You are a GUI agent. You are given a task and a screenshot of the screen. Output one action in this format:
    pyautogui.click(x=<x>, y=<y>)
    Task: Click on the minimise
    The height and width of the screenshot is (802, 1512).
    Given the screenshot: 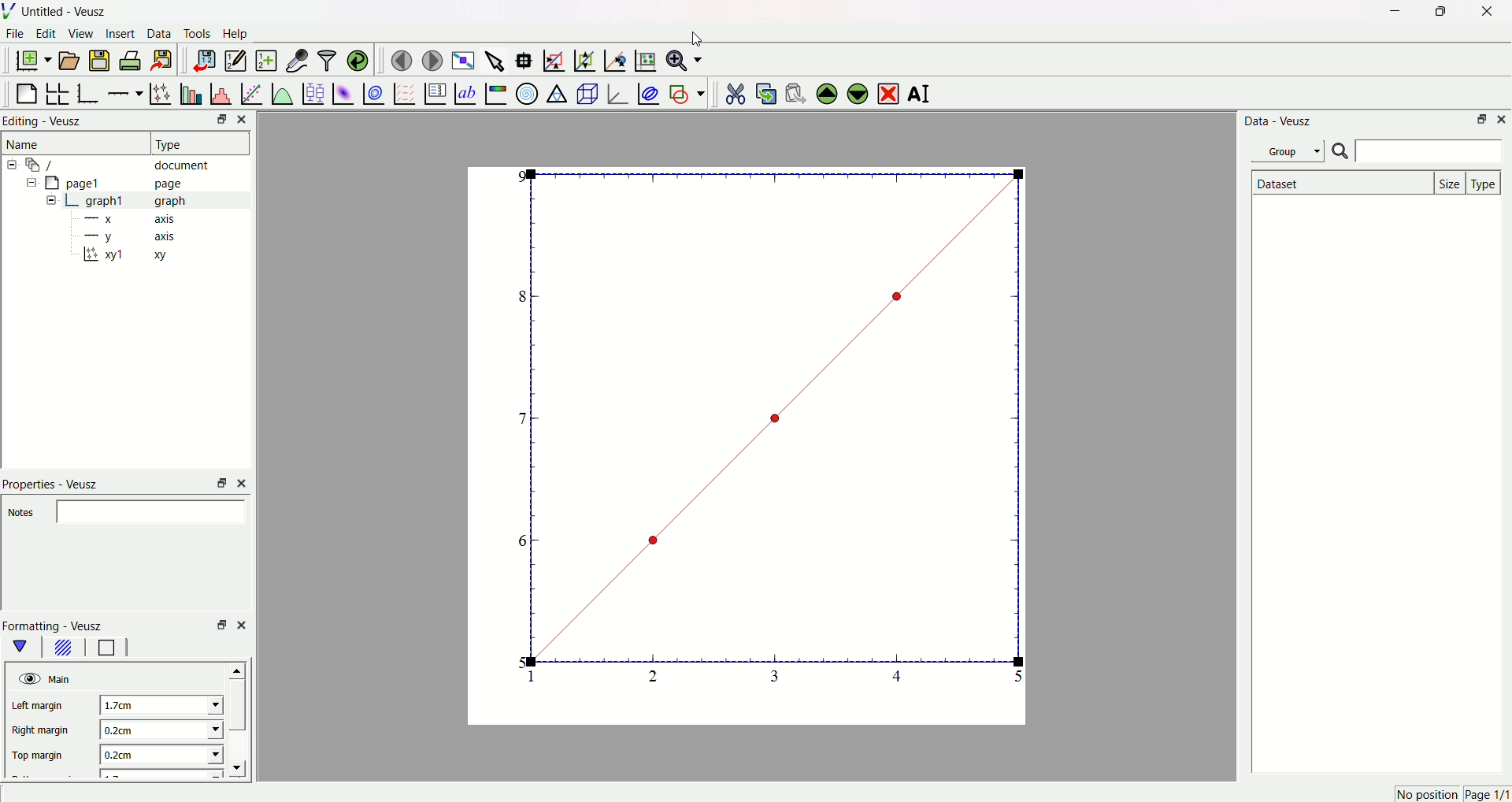 What is the action you would take?
    pyautogui.click(x=218, y=625)
    